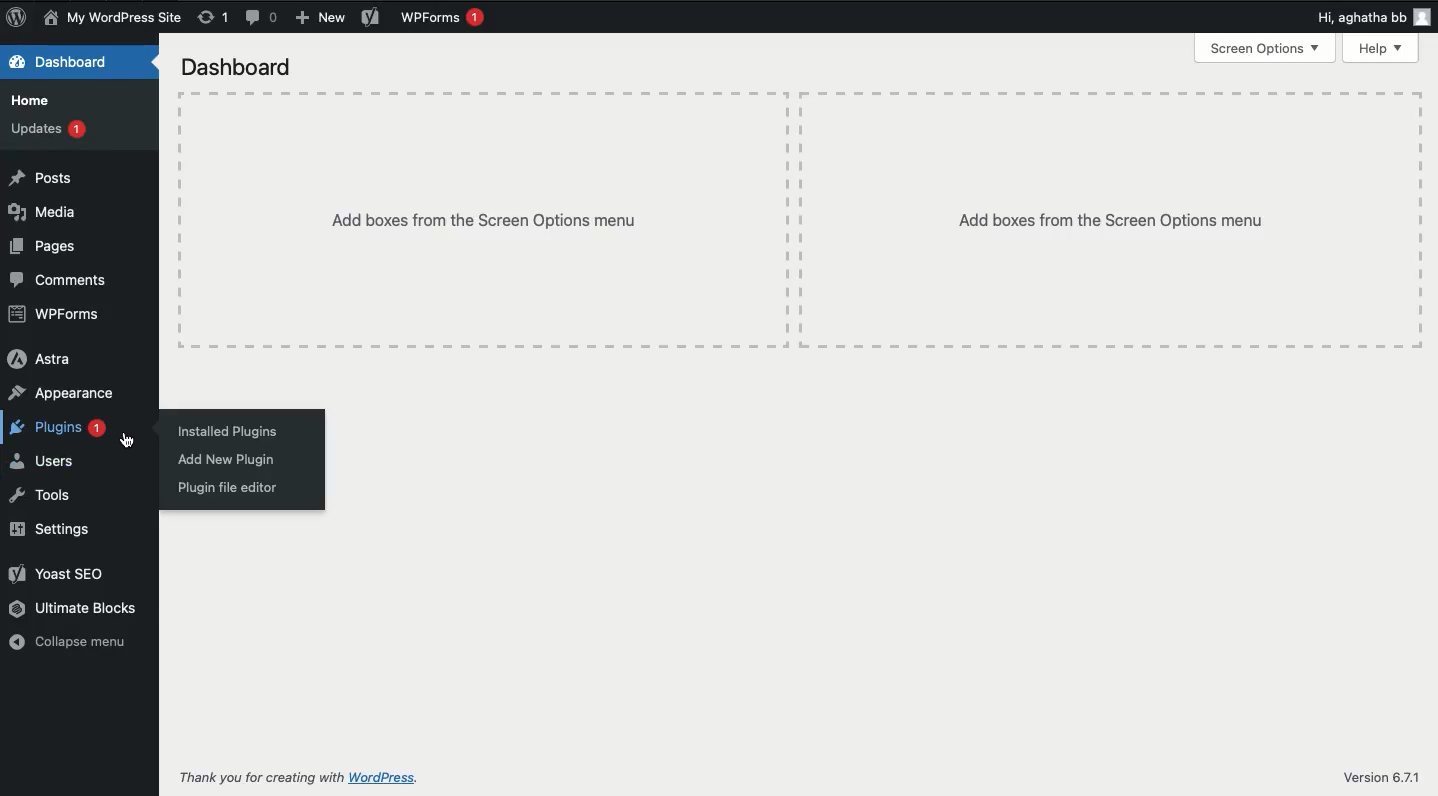 Image resolution: width=1438 pixels, height=796 pixels. I want to click on Revisions, so click(211, 18).